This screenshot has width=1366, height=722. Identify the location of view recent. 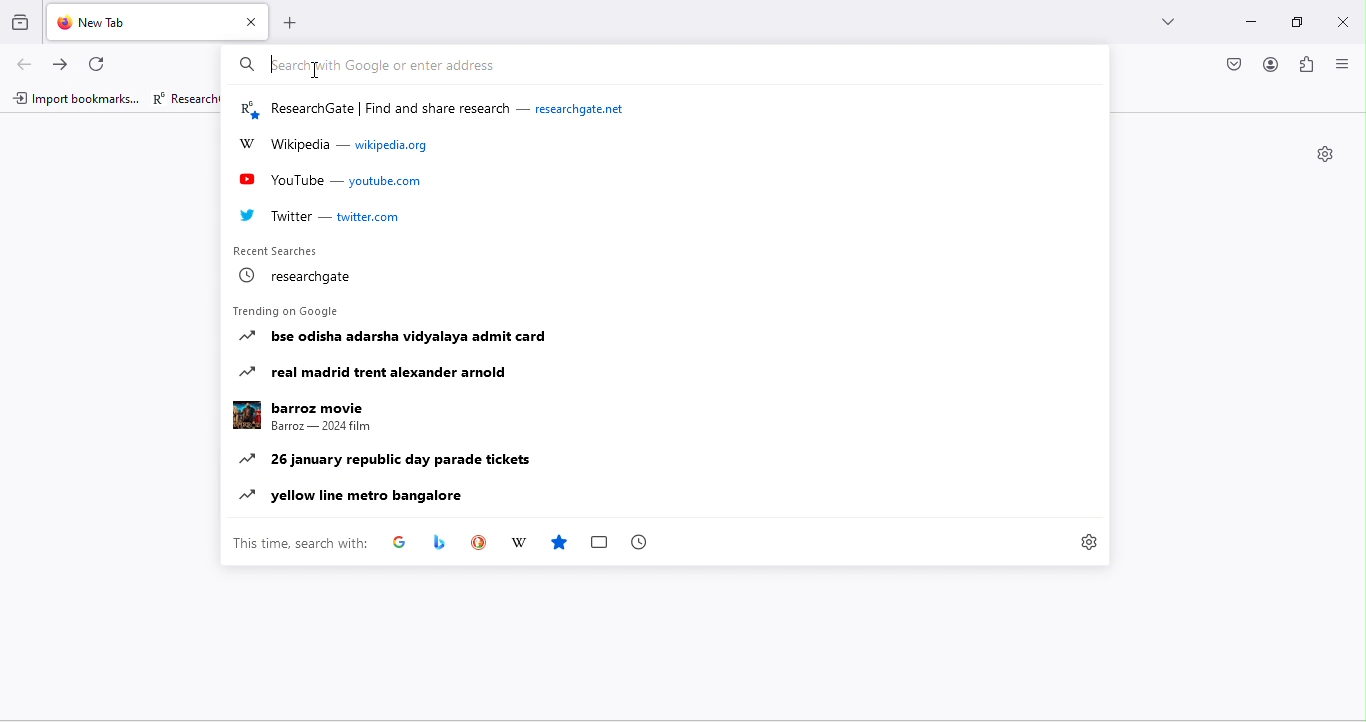
(20, 21).